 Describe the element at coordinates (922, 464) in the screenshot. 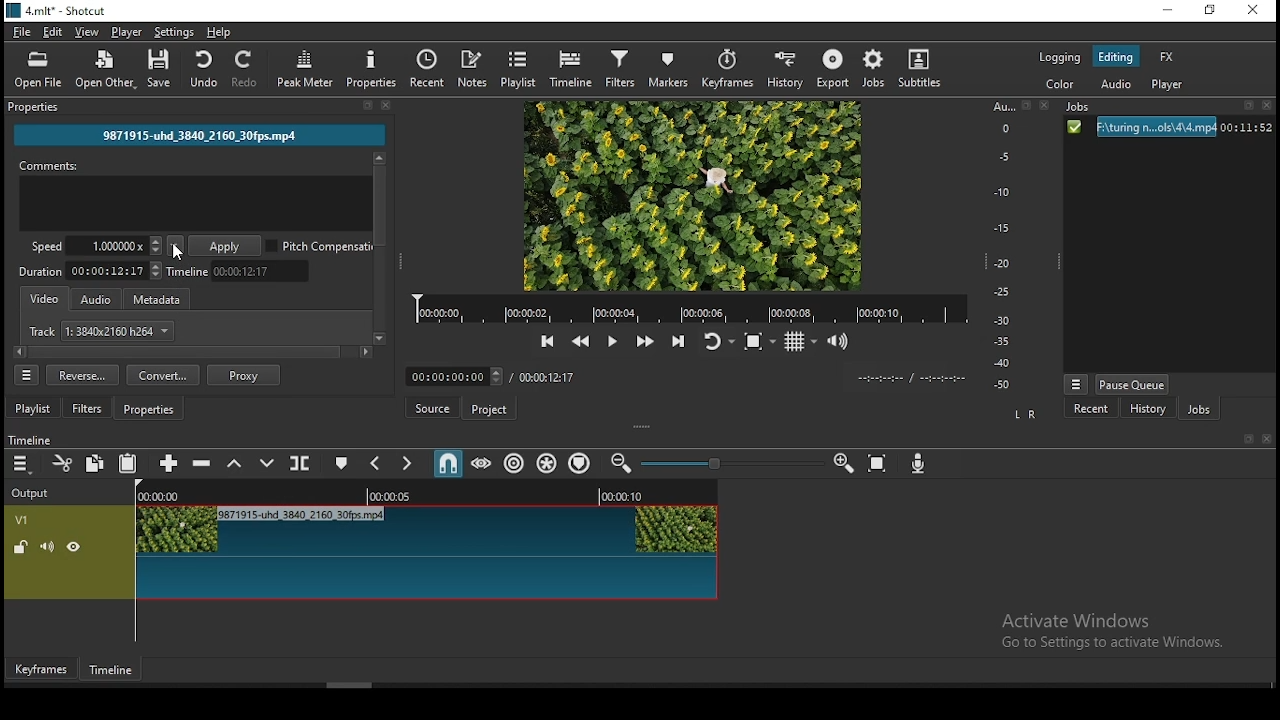

I see `record audio` at that location.